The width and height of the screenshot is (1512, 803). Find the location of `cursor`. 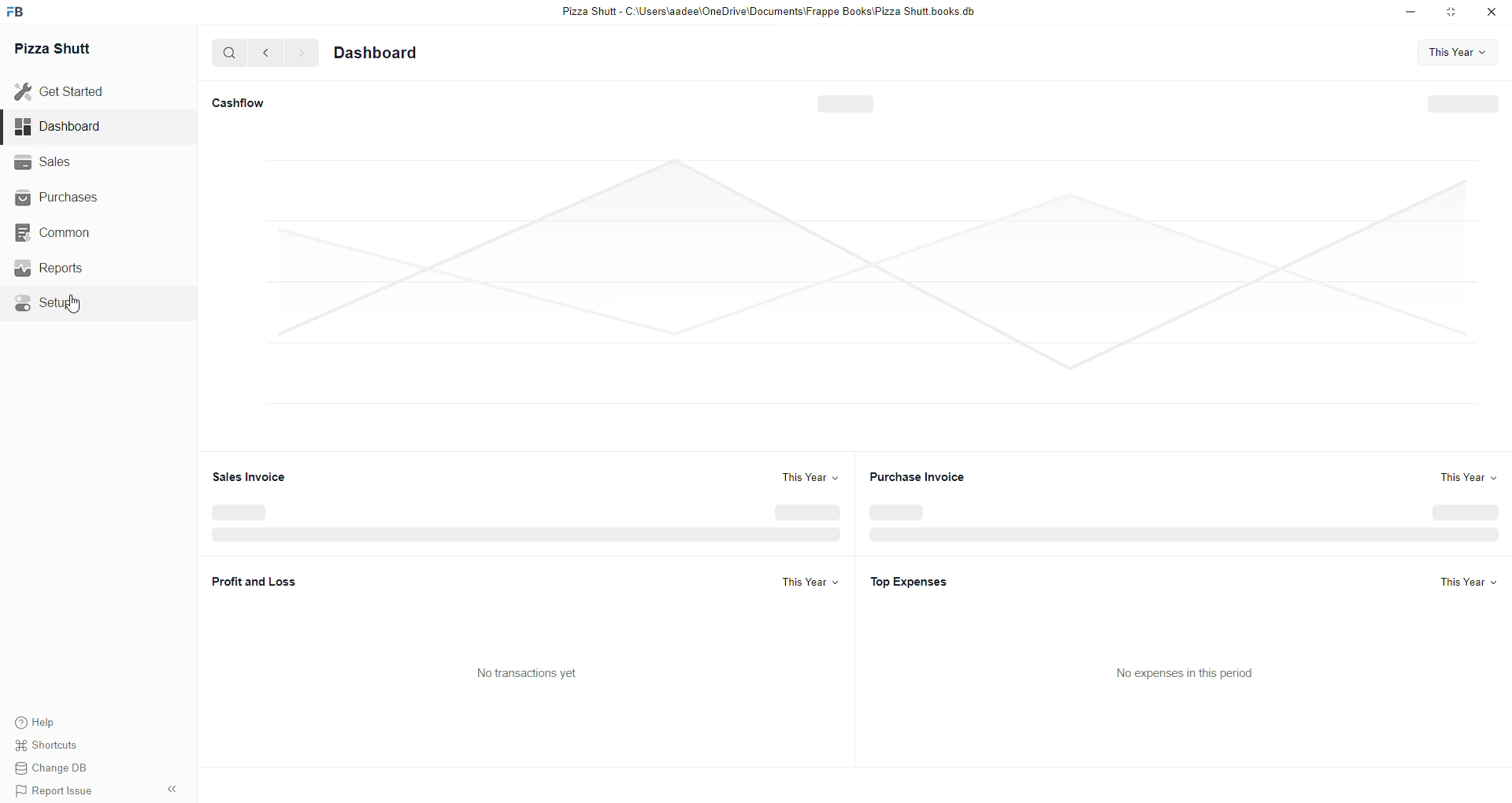

cursor is located at coordinates (77, 305).